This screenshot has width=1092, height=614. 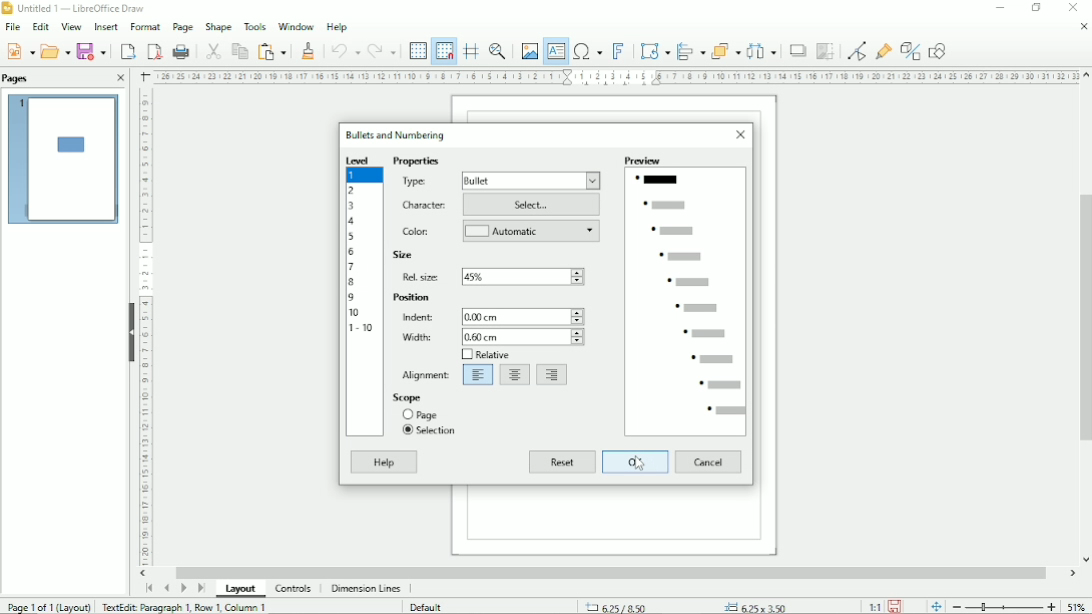 I want to click on Copy, so click(x=238, y=50).